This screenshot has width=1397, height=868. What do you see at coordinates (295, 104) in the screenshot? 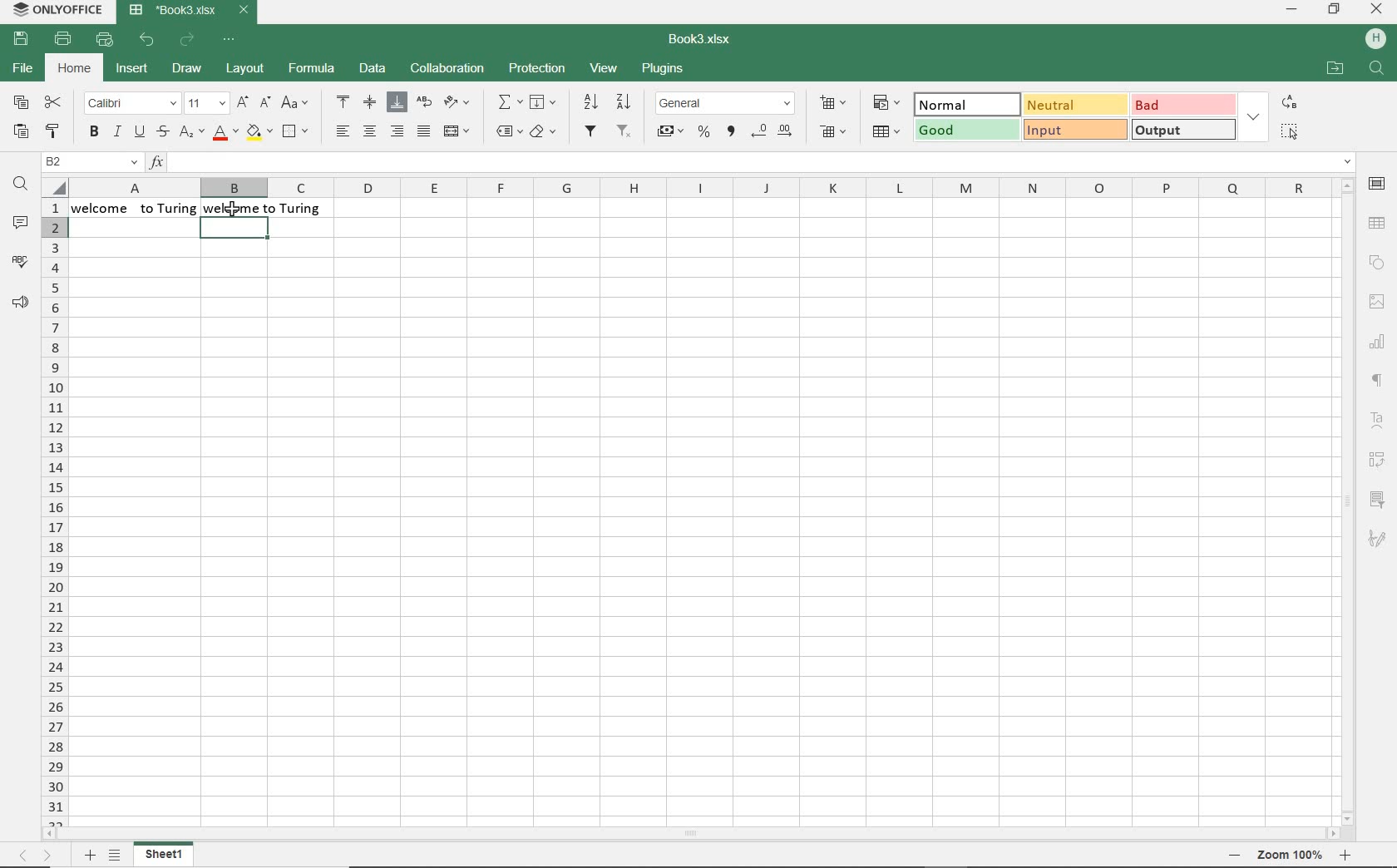
I see `change case` at bounding box center [295, 104].